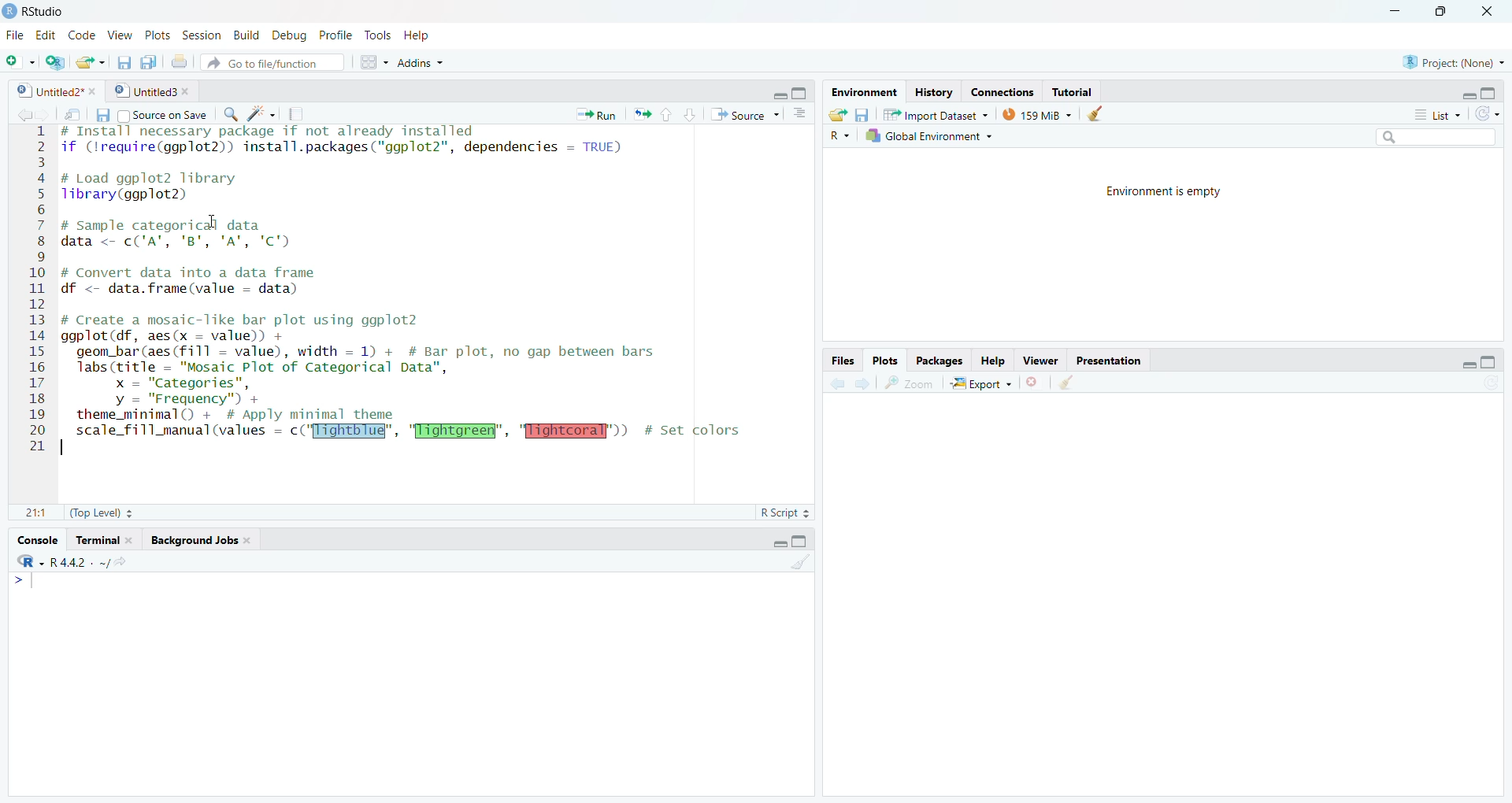 This screenshot has height=803, width=1512. I want to click on # Install necessary package if not already installed
if (lrequire(ggplot2)) install.packages("ggplot2", dependencies — TRUE), so click(352, 144).